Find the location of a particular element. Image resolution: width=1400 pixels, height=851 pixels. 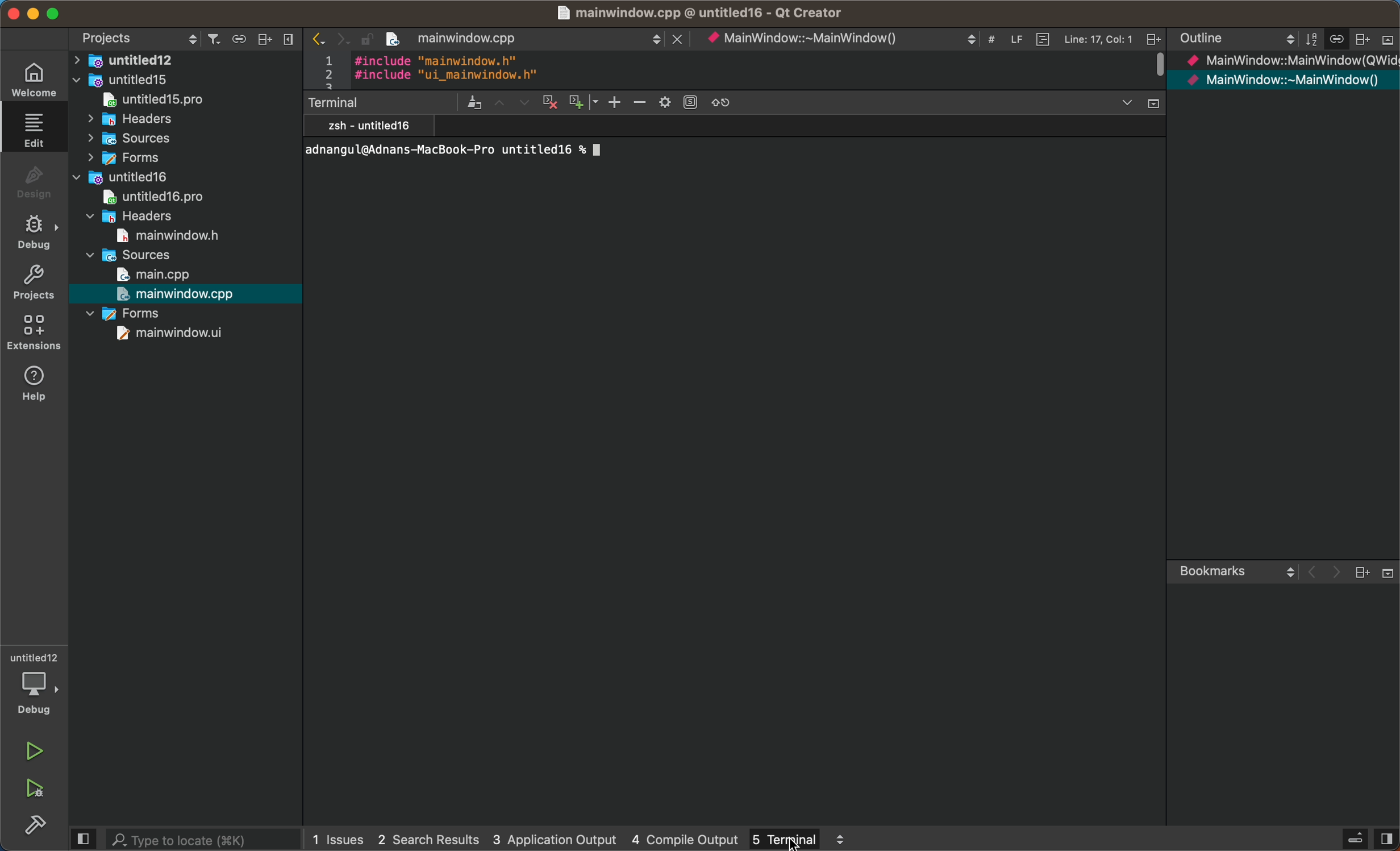

file and folder is located at coordinates (174, 178).